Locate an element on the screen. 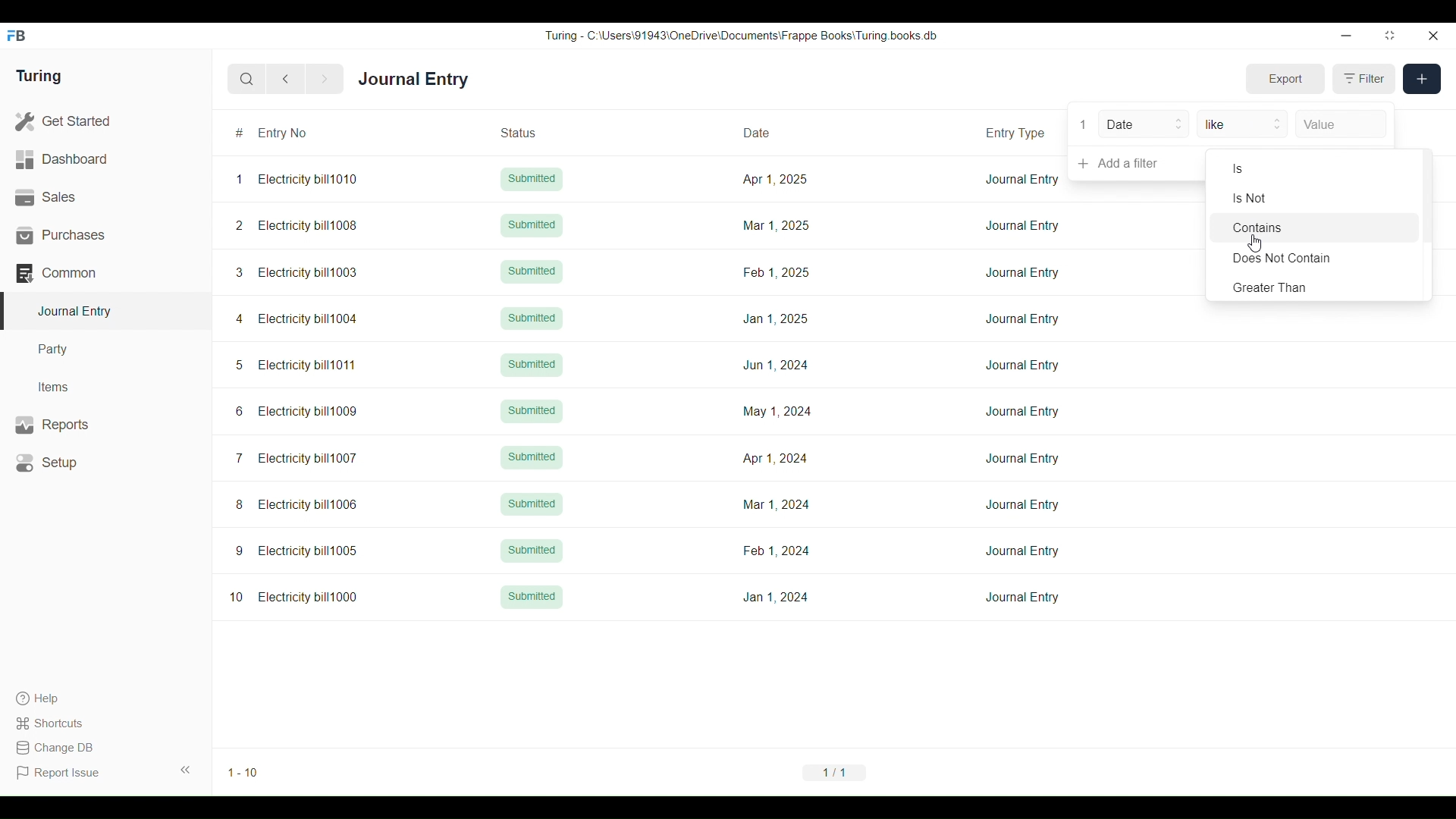 This screenshot has width=1456, height=819. Mar 1, 2025 is located at coordinates (774, 225).